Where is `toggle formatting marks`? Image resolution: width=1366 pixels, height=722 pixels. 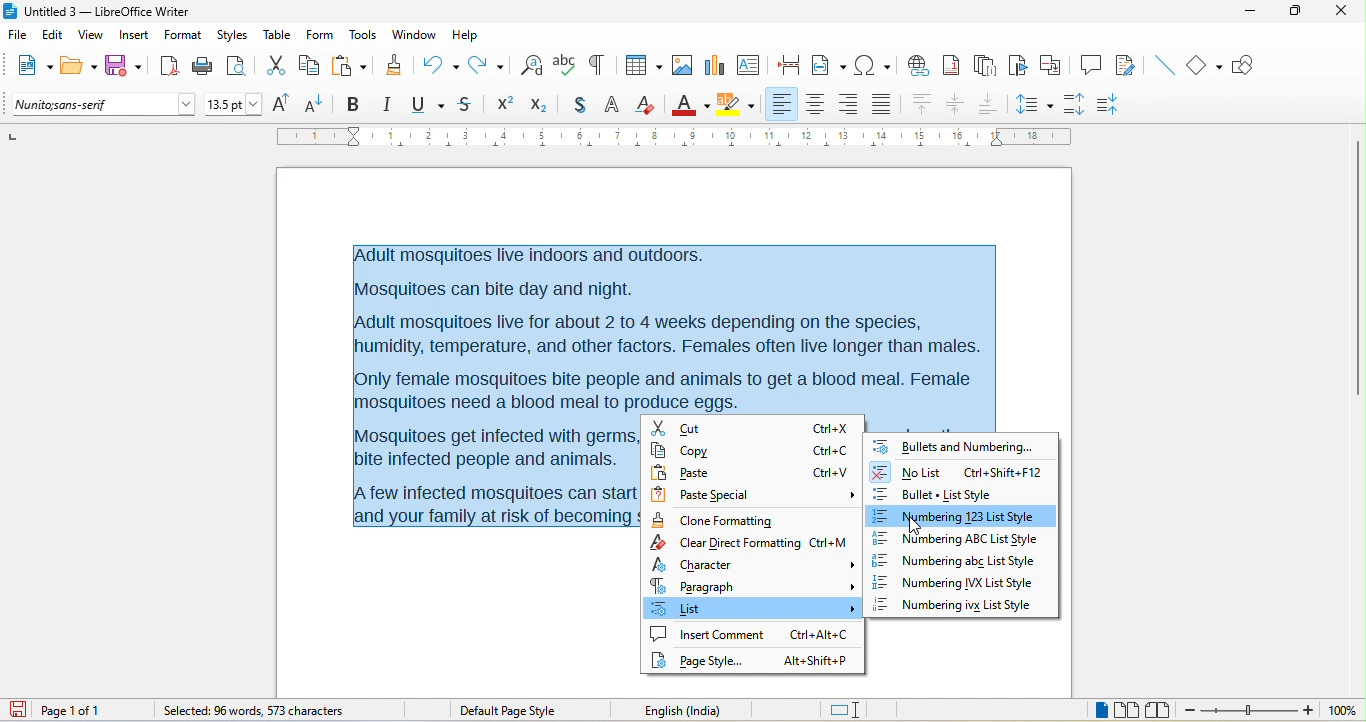 toggle formatting marks is located at coordinates (601, 65).